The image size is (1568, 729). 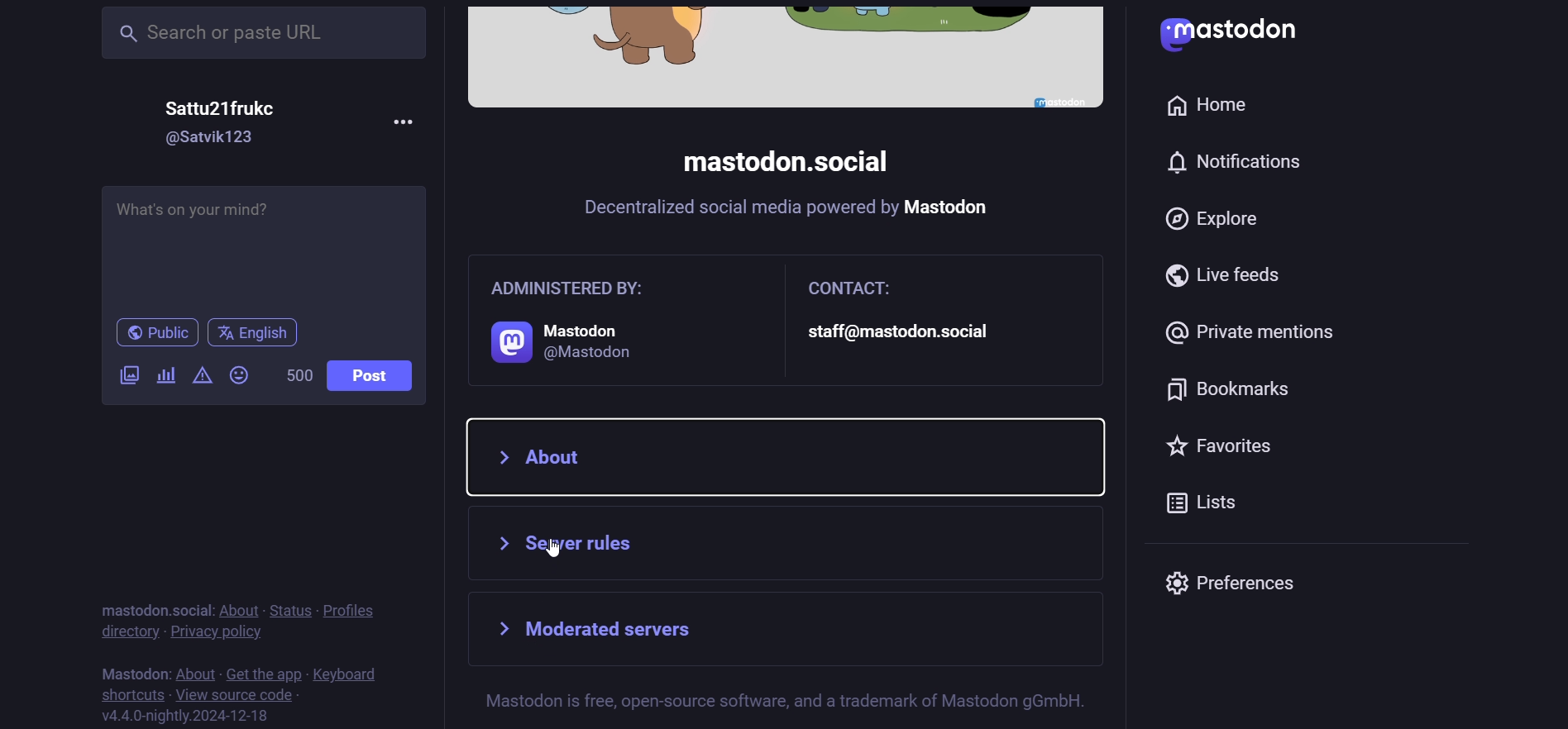 I want to click on name, so click(x=230, y=107).